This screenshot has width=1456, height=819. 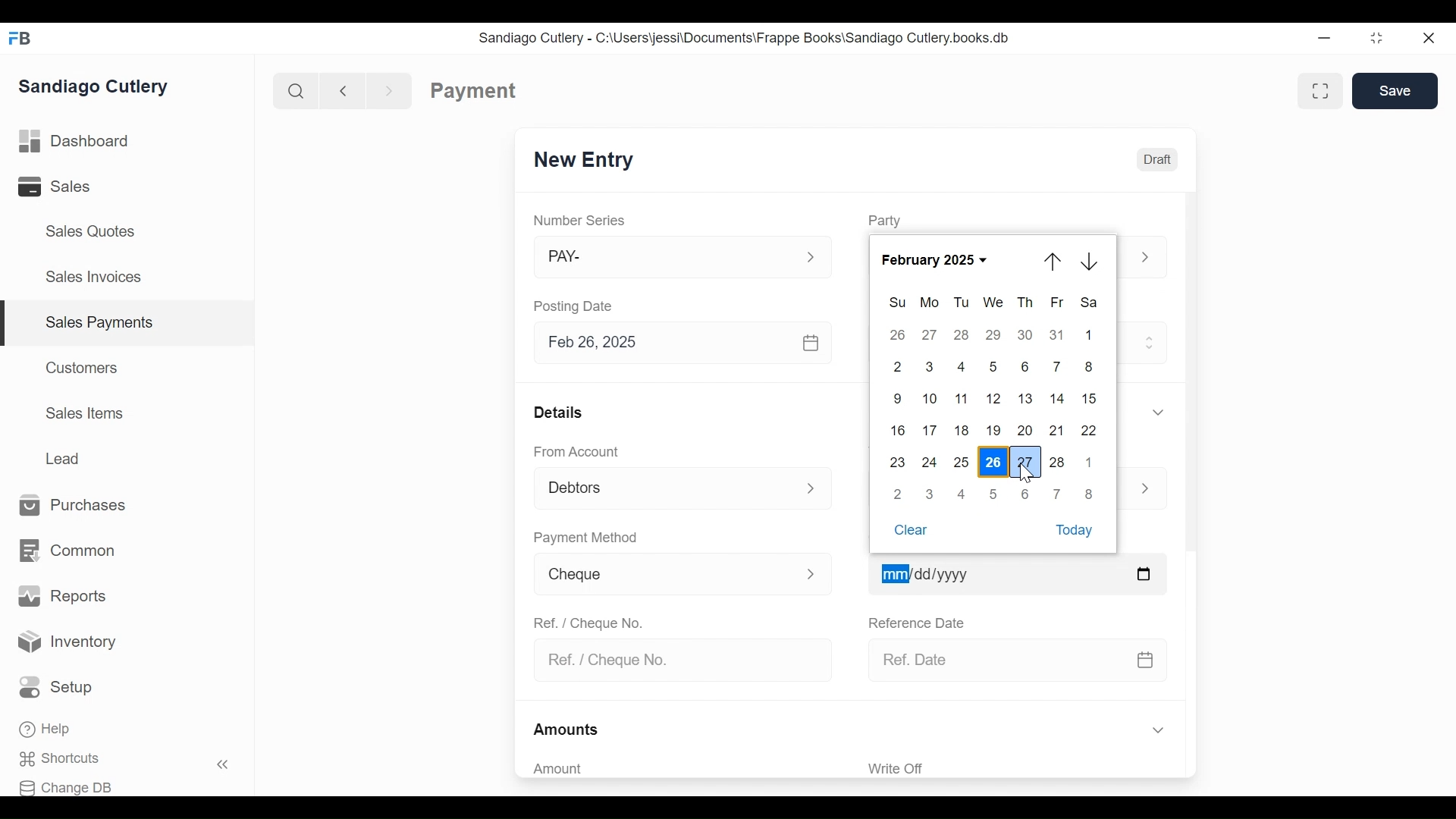 I want to click on 3, so click(x=930, y=367).